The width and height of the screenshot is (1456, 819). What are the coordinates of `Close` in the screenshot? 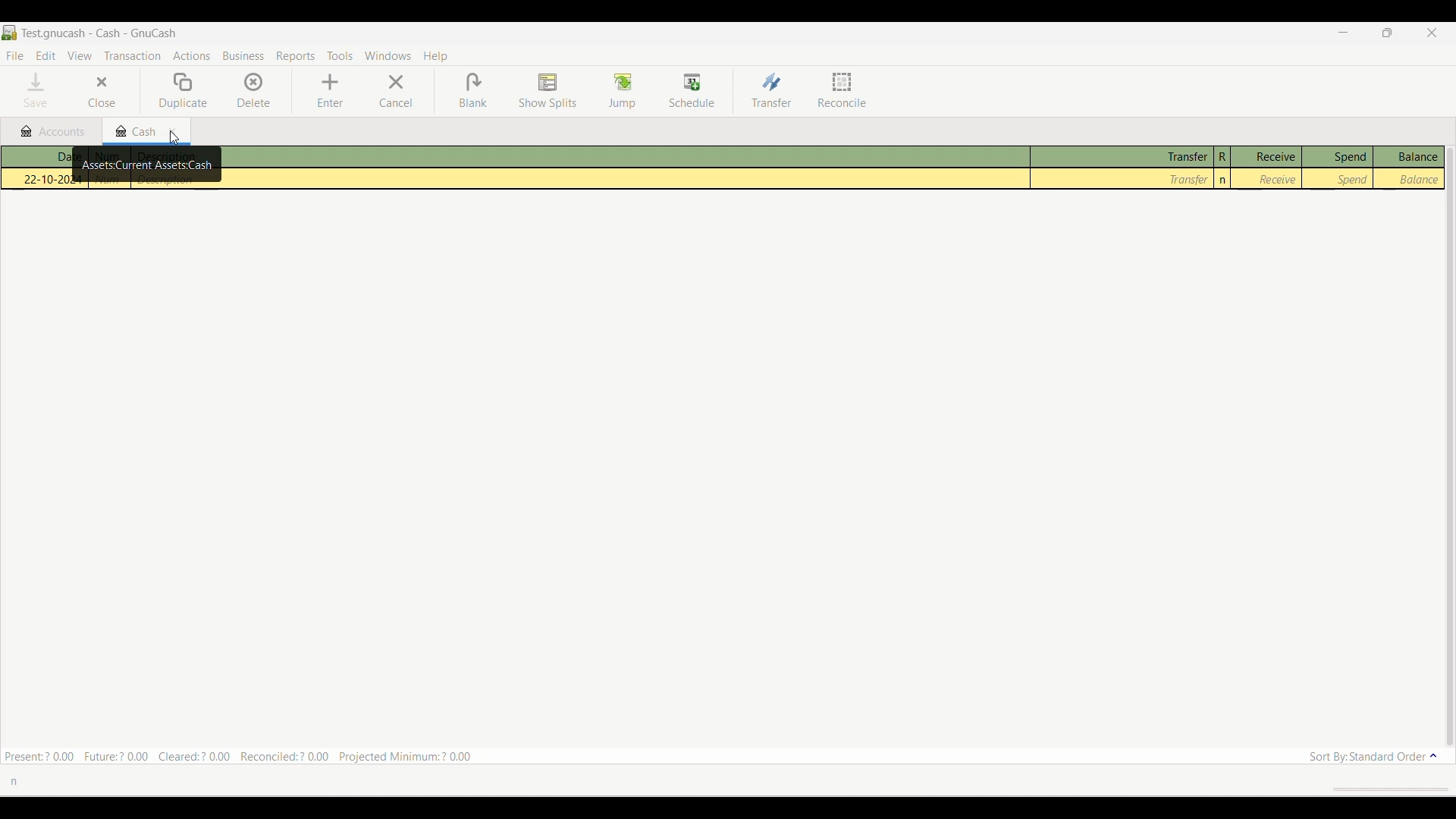 It's located at (102, 90).